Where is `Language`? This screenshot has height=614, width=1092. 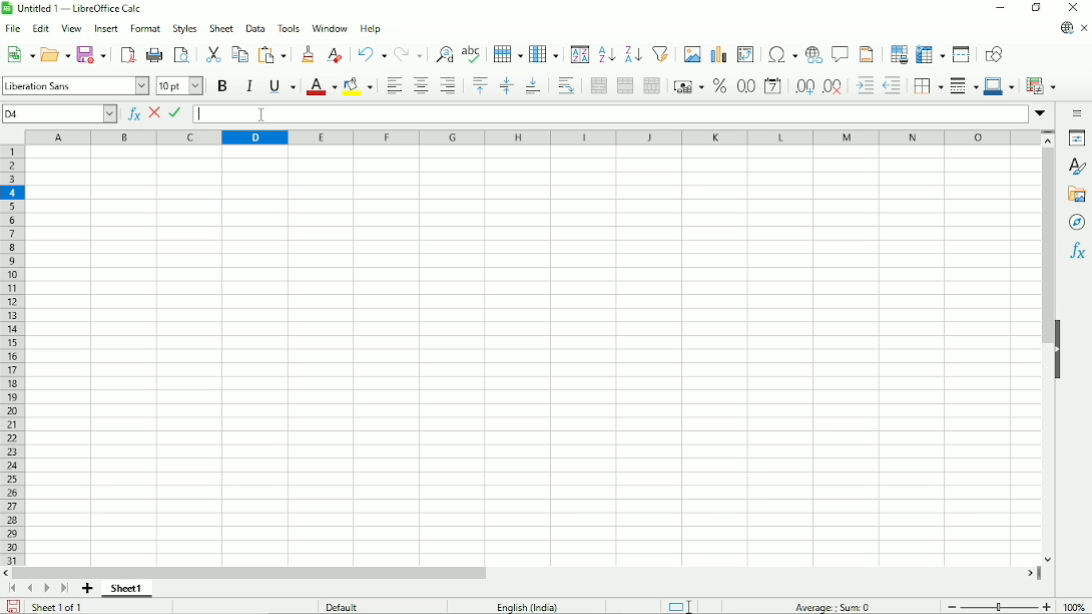 Language is located at coordinates (528, 606).